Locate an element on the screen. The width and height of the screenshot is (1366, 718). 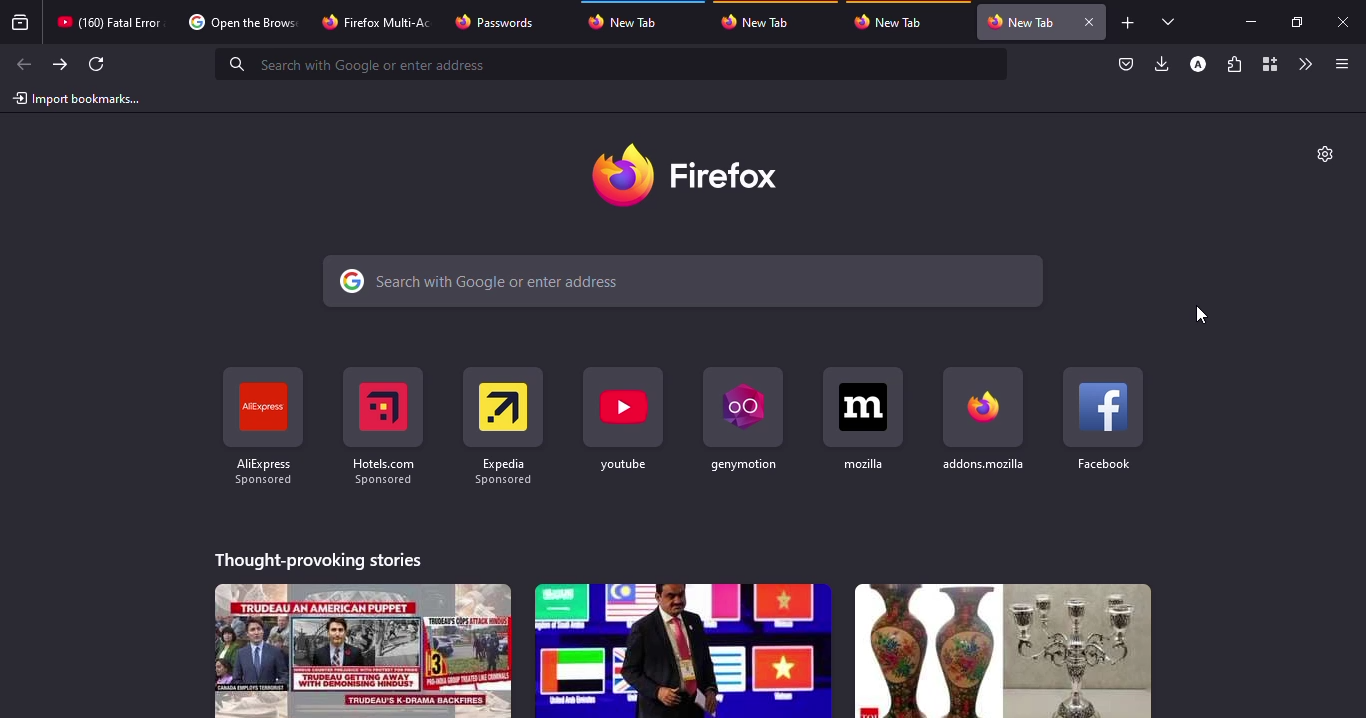
save to pocket is located at coordinates (1124, 64).